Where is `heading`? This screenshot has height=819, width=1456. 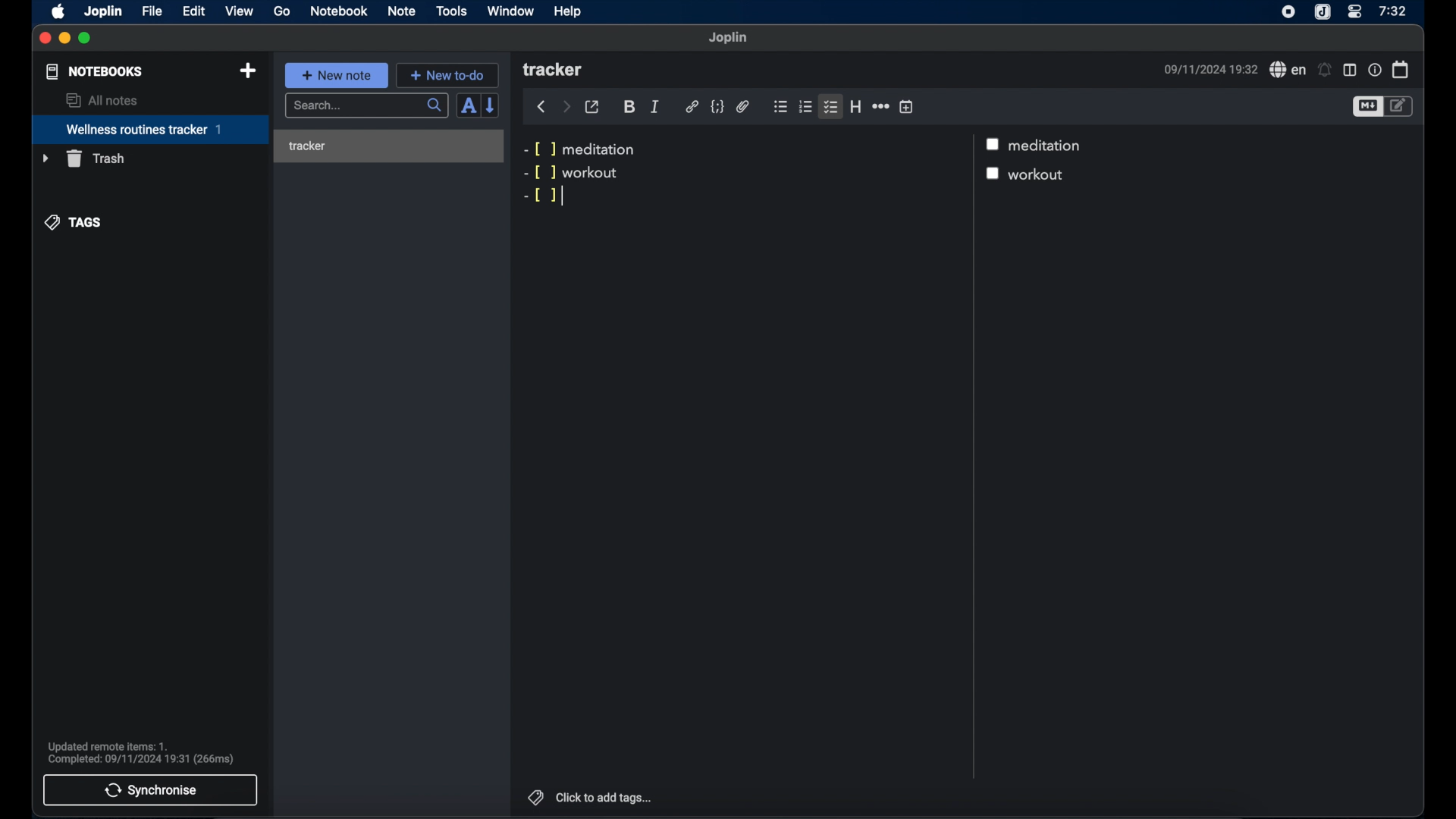
heading is located at coordinates (855, 106).